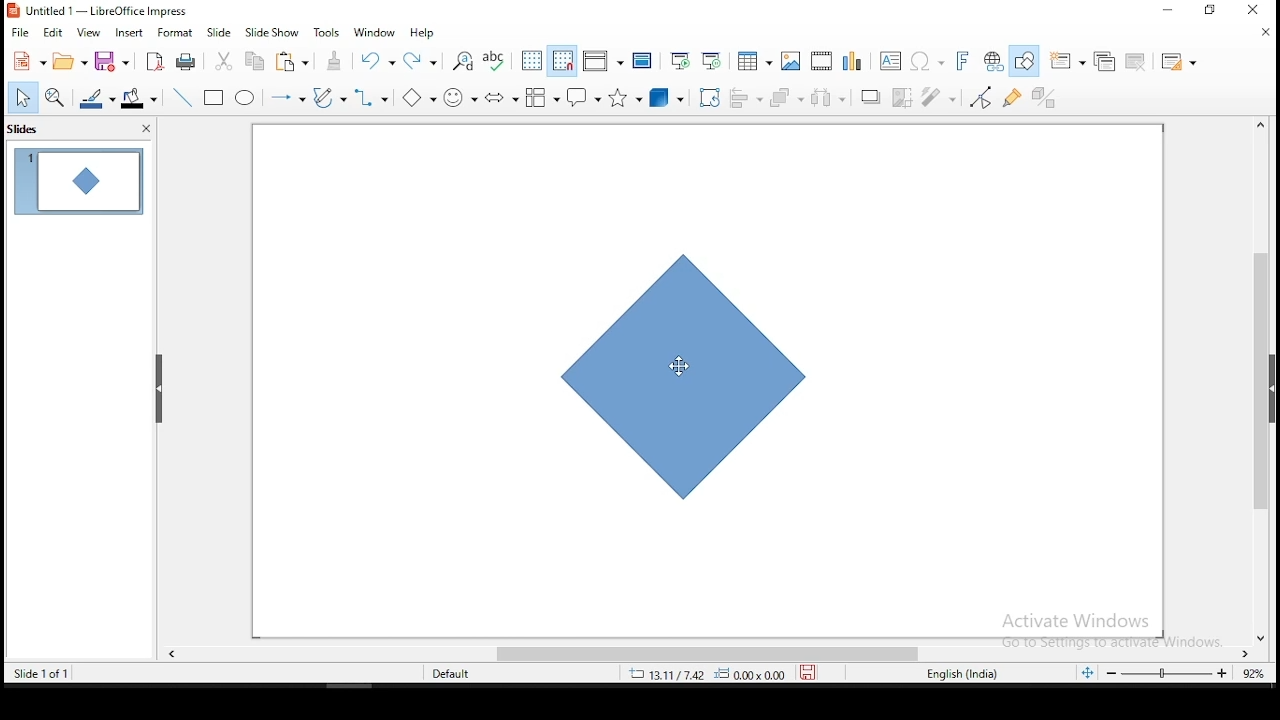 The height and width of the screenshot is (720, 1280). Describe the element at coordinates (1013, 98) in the screenshot. I see `show gluepoint functions` at that location.